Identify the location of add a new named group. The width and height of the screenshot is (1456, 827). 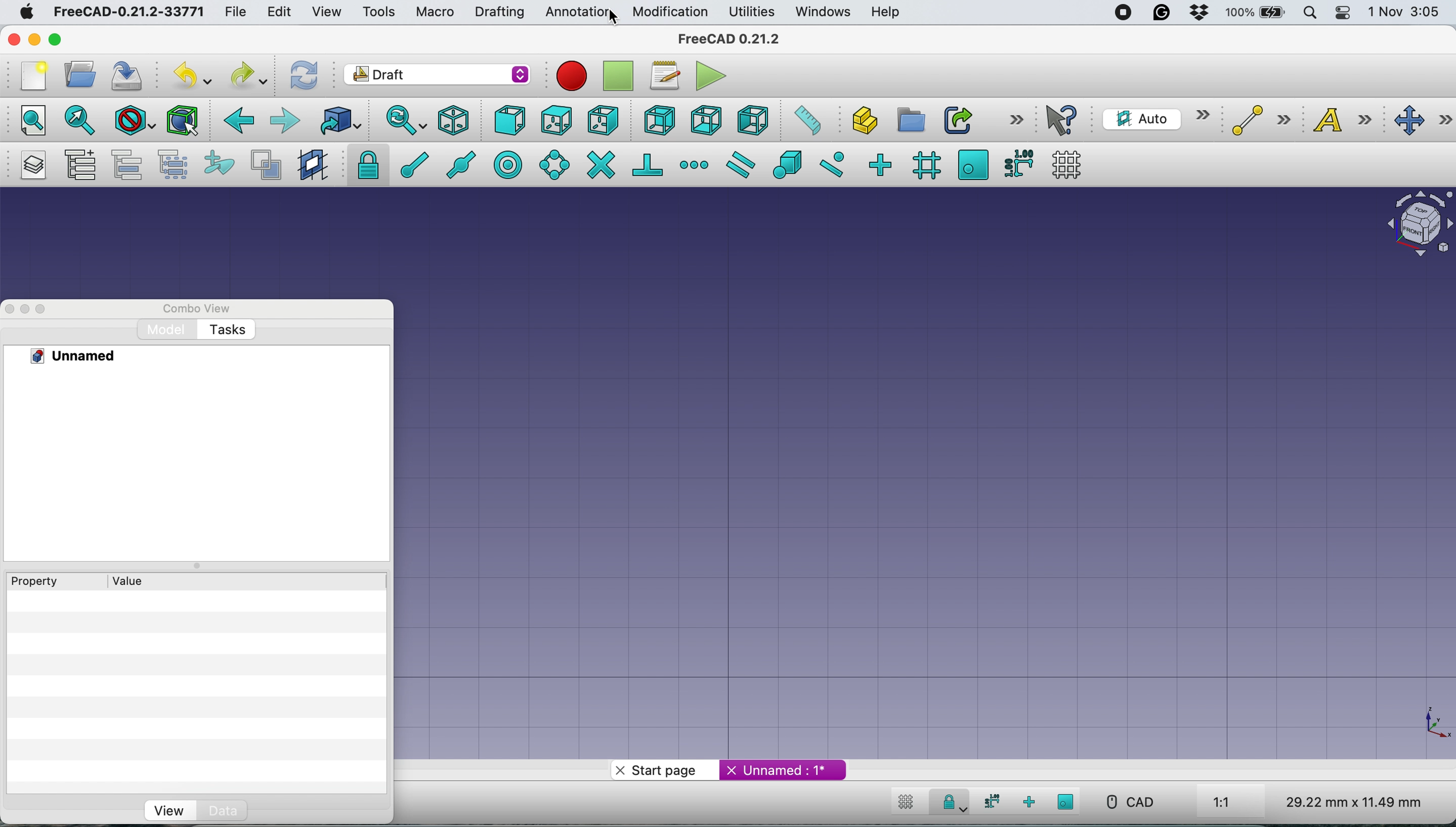
(78, 166).